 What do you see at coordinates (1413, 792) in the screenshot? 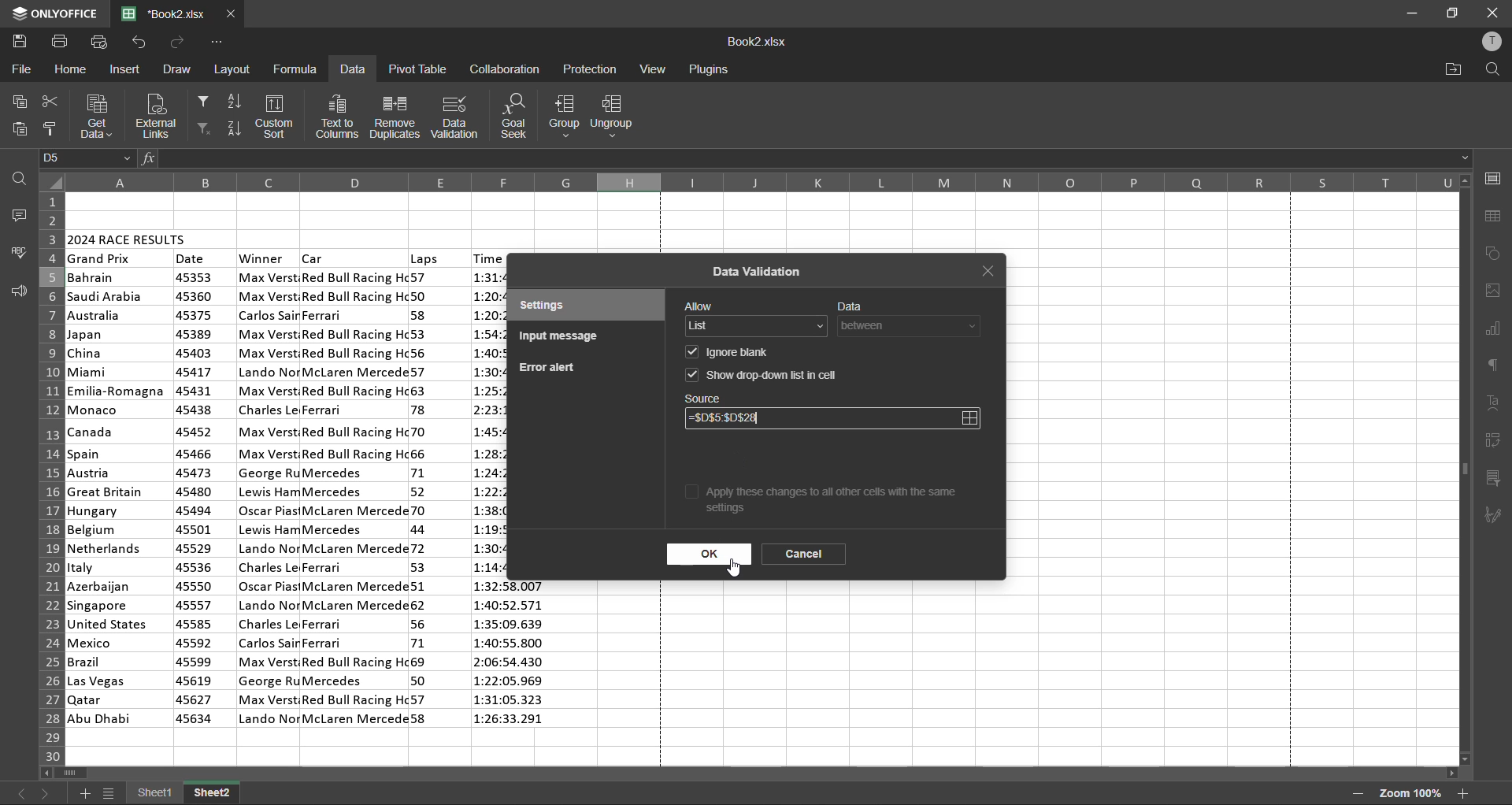
I see `zoom factor` at bounding box center [1413, 792].